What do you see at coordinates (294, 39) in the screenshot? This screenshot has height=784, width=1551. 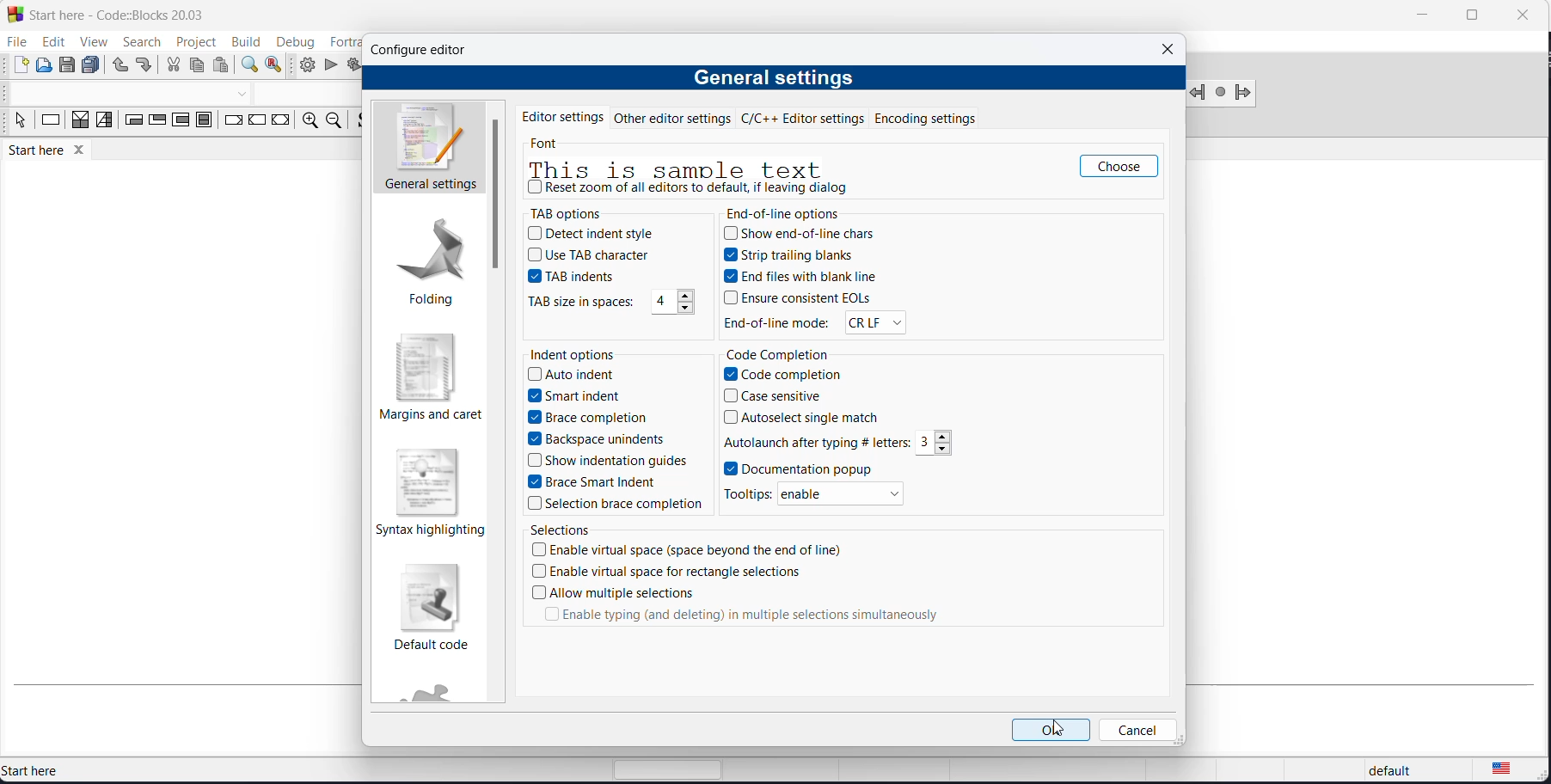 I see `debug` at bounding box center [294, 39].